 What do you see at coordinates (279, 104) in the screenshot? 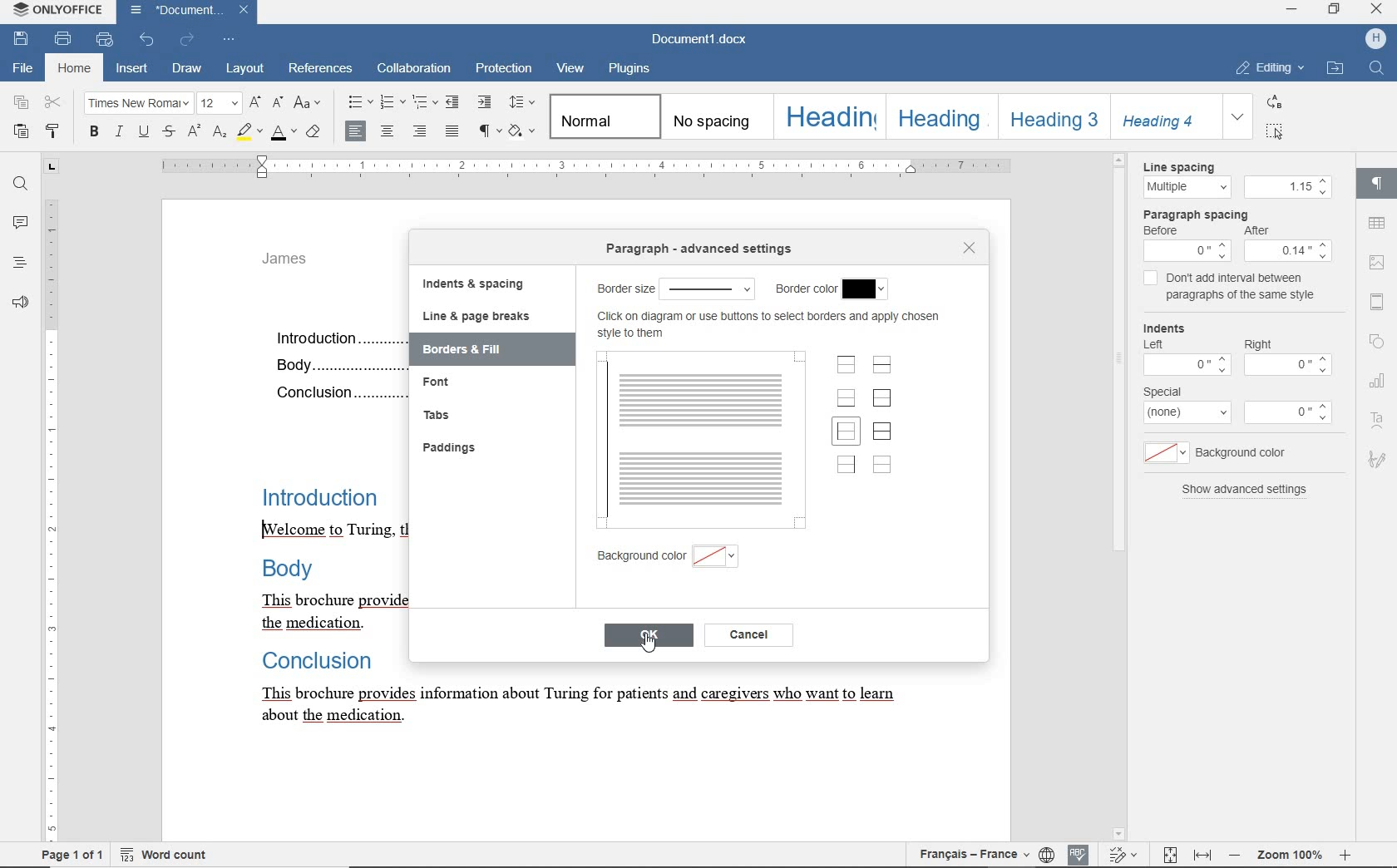
I see `decrement font size` at bounding box center [279, 104].